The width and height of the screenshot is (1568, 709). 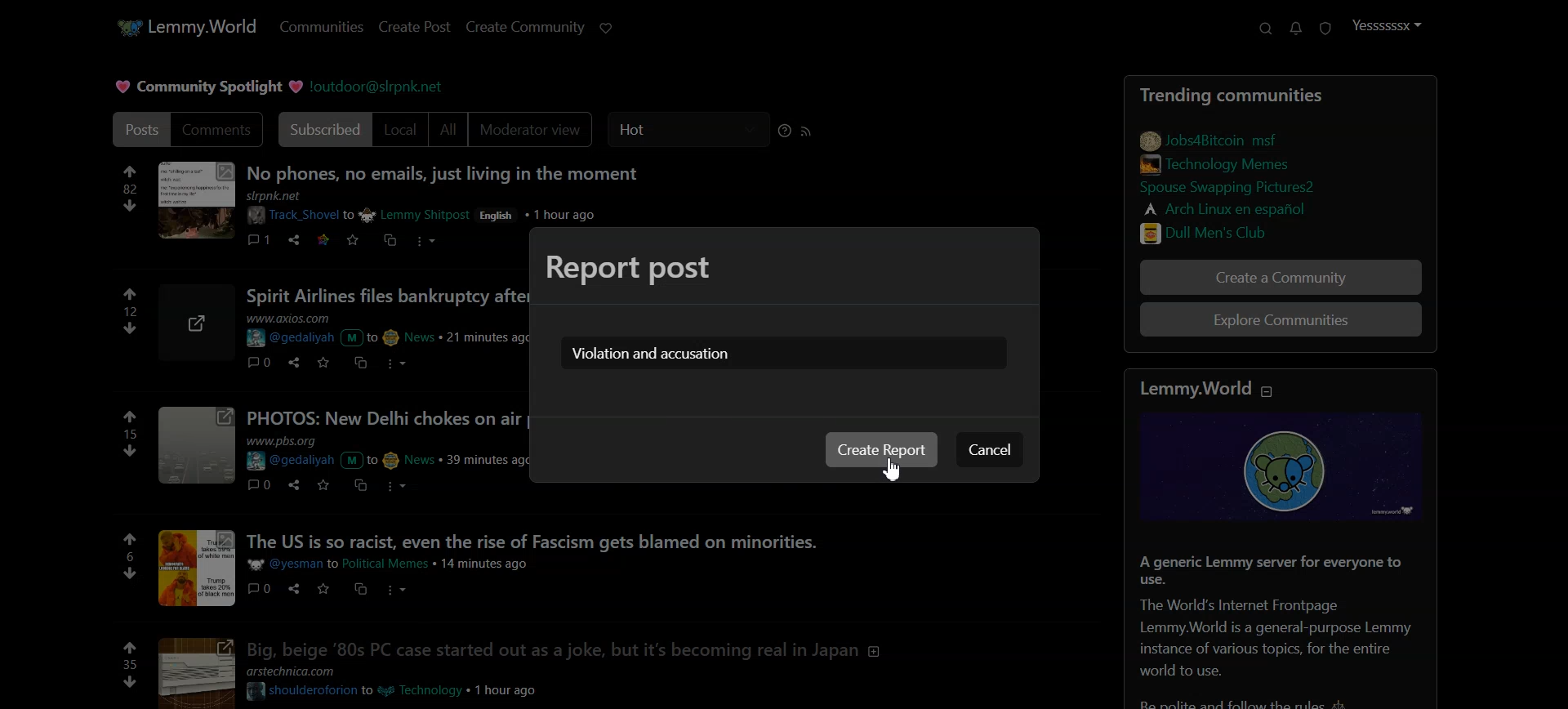 What do you see at coordinates (362, 588) in the screenshot?
I see `cross post` at bounding box center [362, 588].